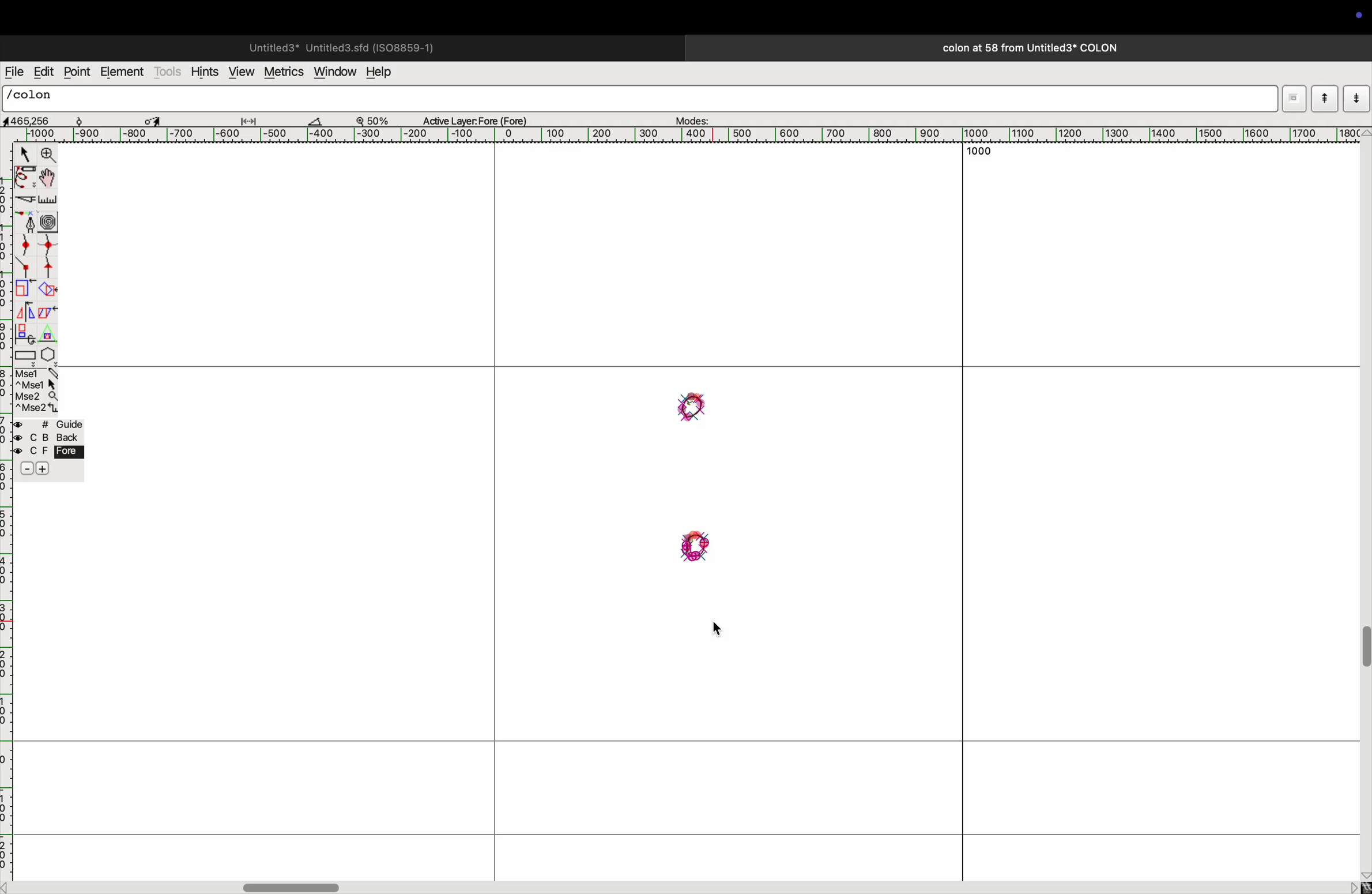  What do you see at coordinates (25, 354) in the screenshot?
I see `rectangle` at bounding box center [25, 354].